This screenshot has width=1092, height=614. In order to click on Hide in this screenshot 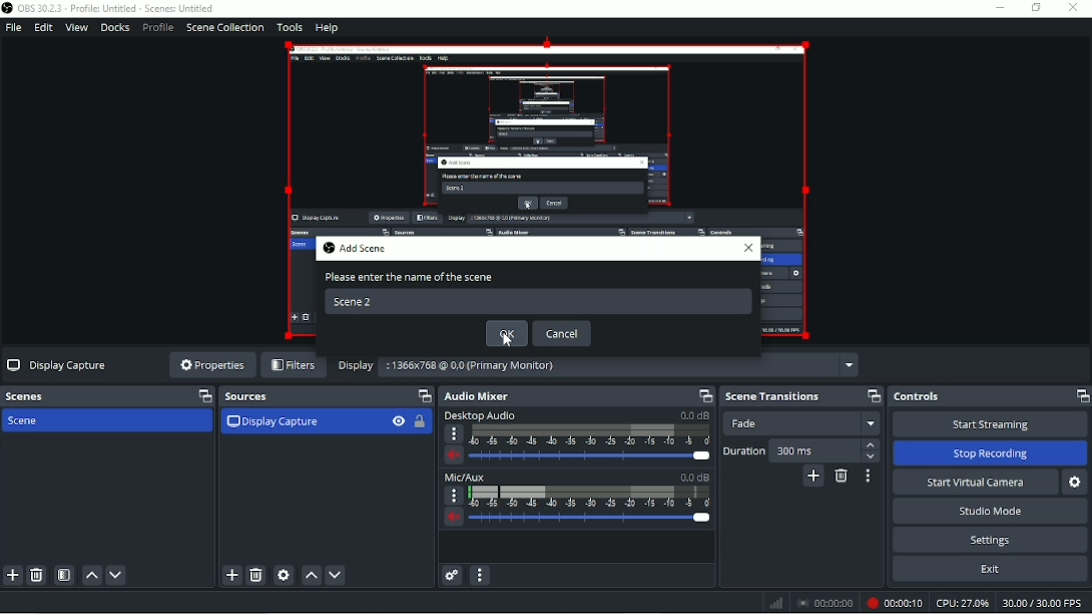, I will do `click(398, 423)`.